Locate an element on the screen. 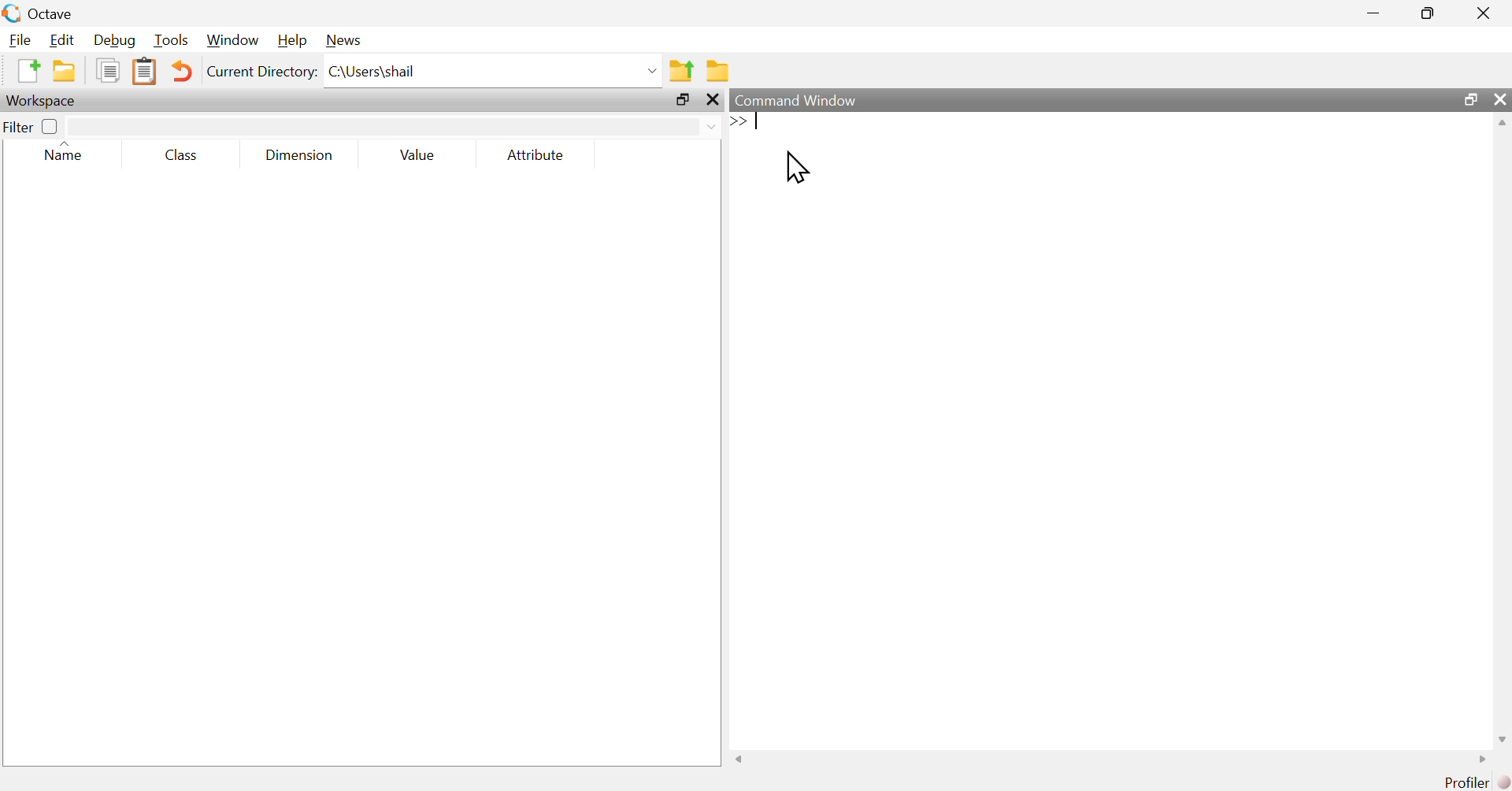  Attribute is located at coordinates (537, 156).